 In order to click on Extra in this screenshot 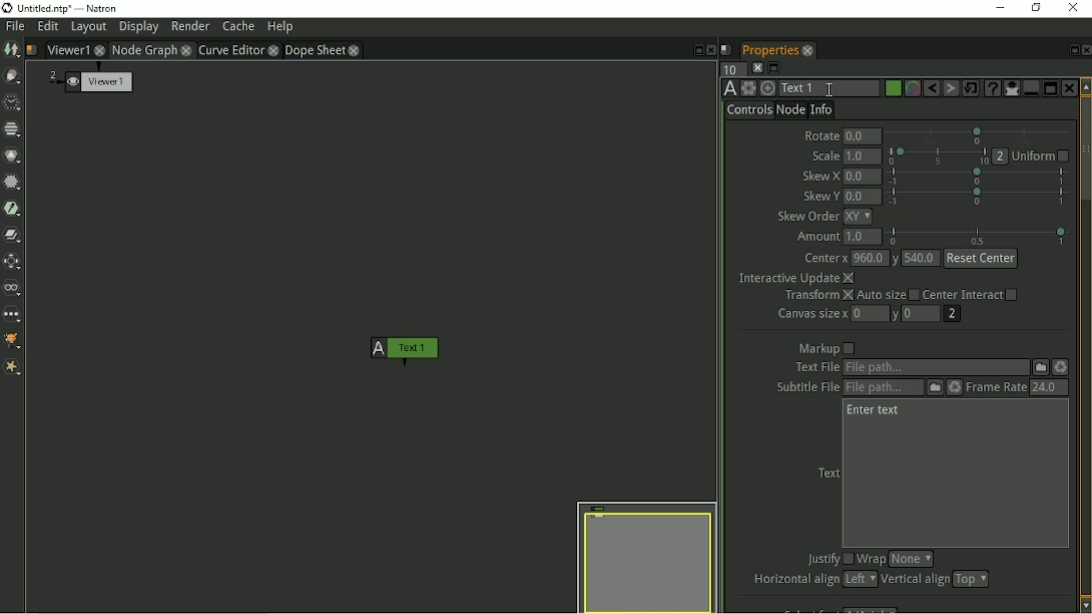, I will do `click(16, 369)`.